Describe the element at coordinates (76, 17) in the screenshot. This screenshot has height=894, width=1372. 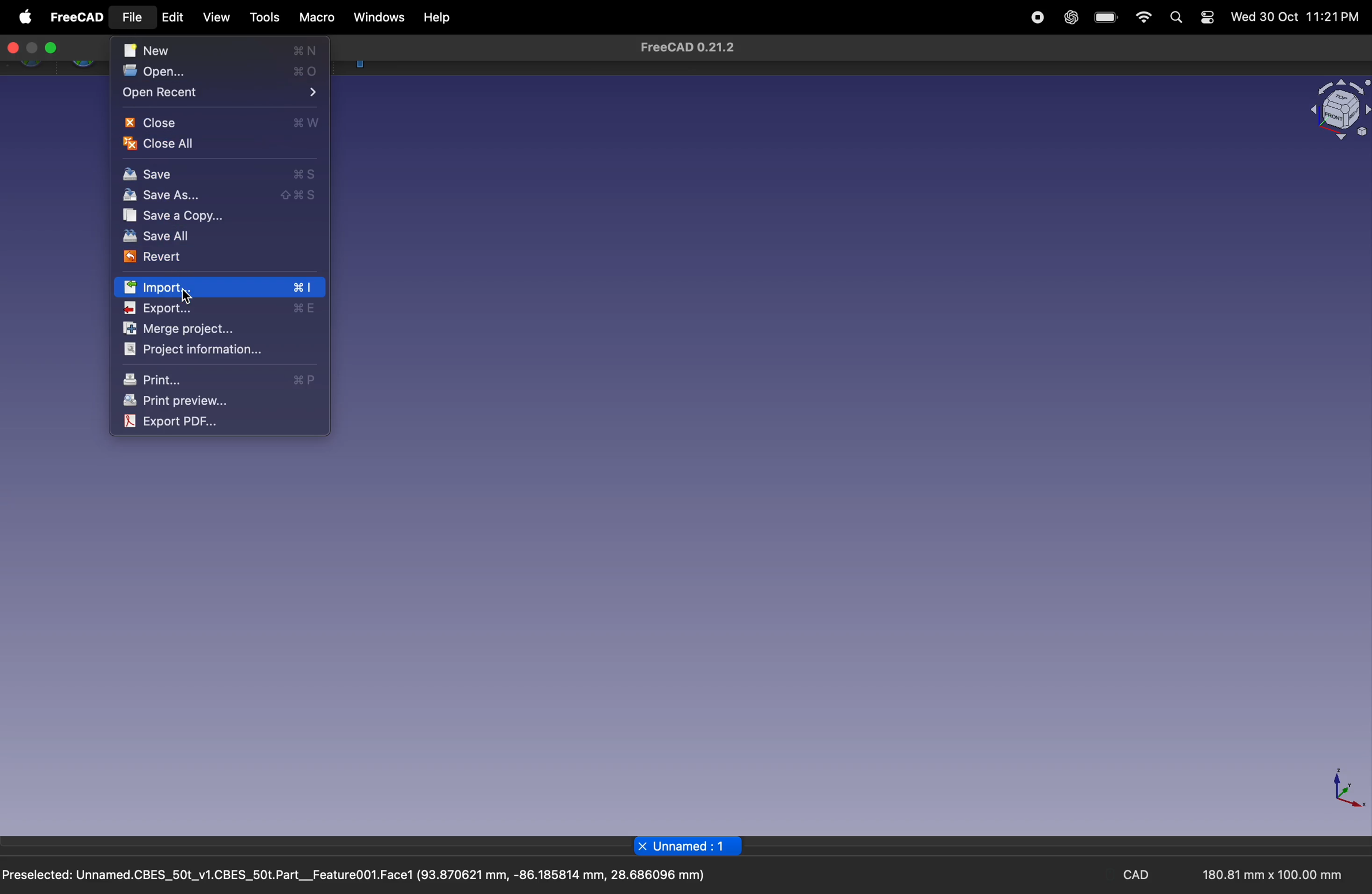
I see `free cad` at that location.